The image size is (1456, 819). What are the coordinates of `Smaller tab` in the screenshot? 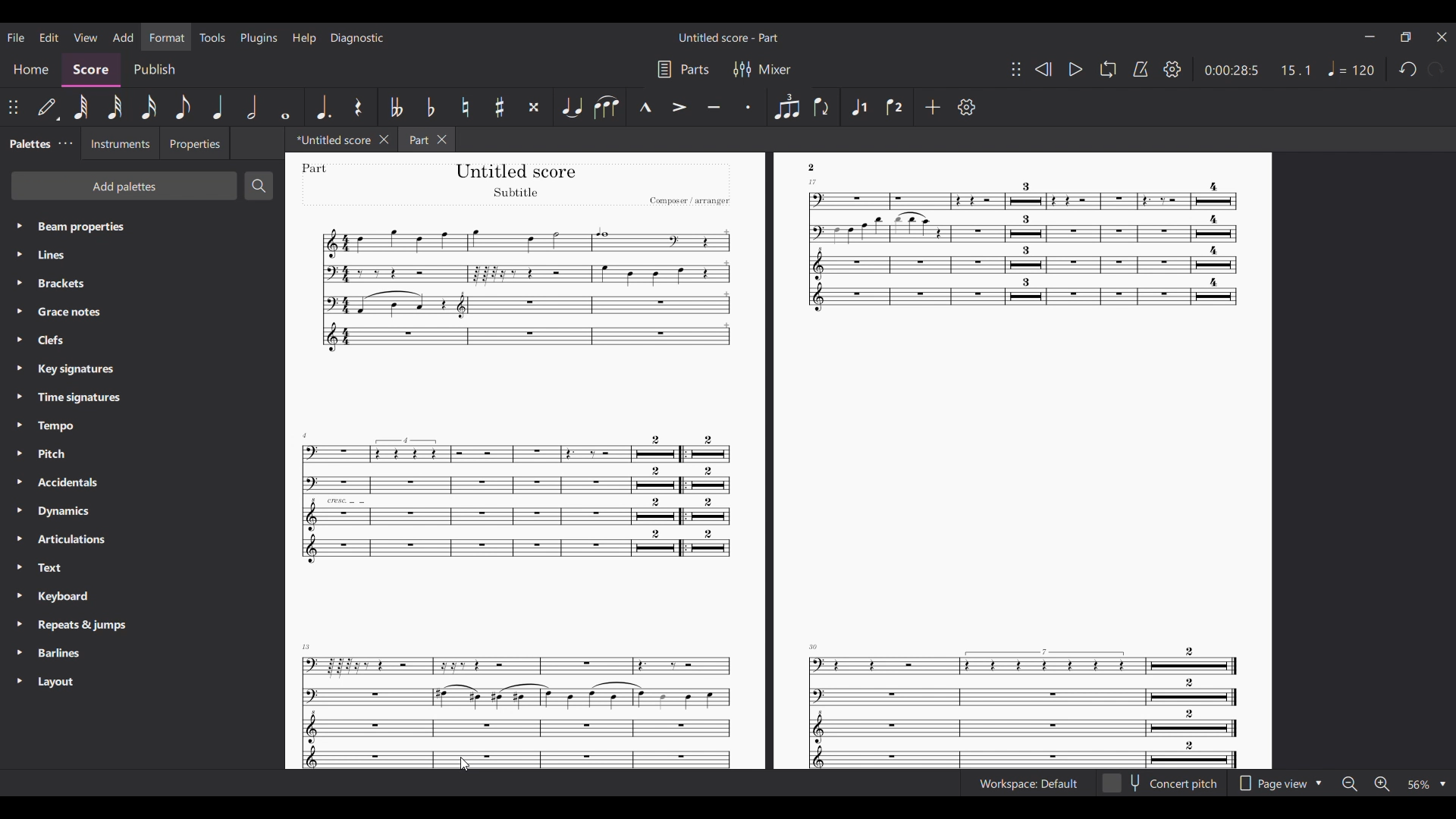 It's located at (1405, 37).